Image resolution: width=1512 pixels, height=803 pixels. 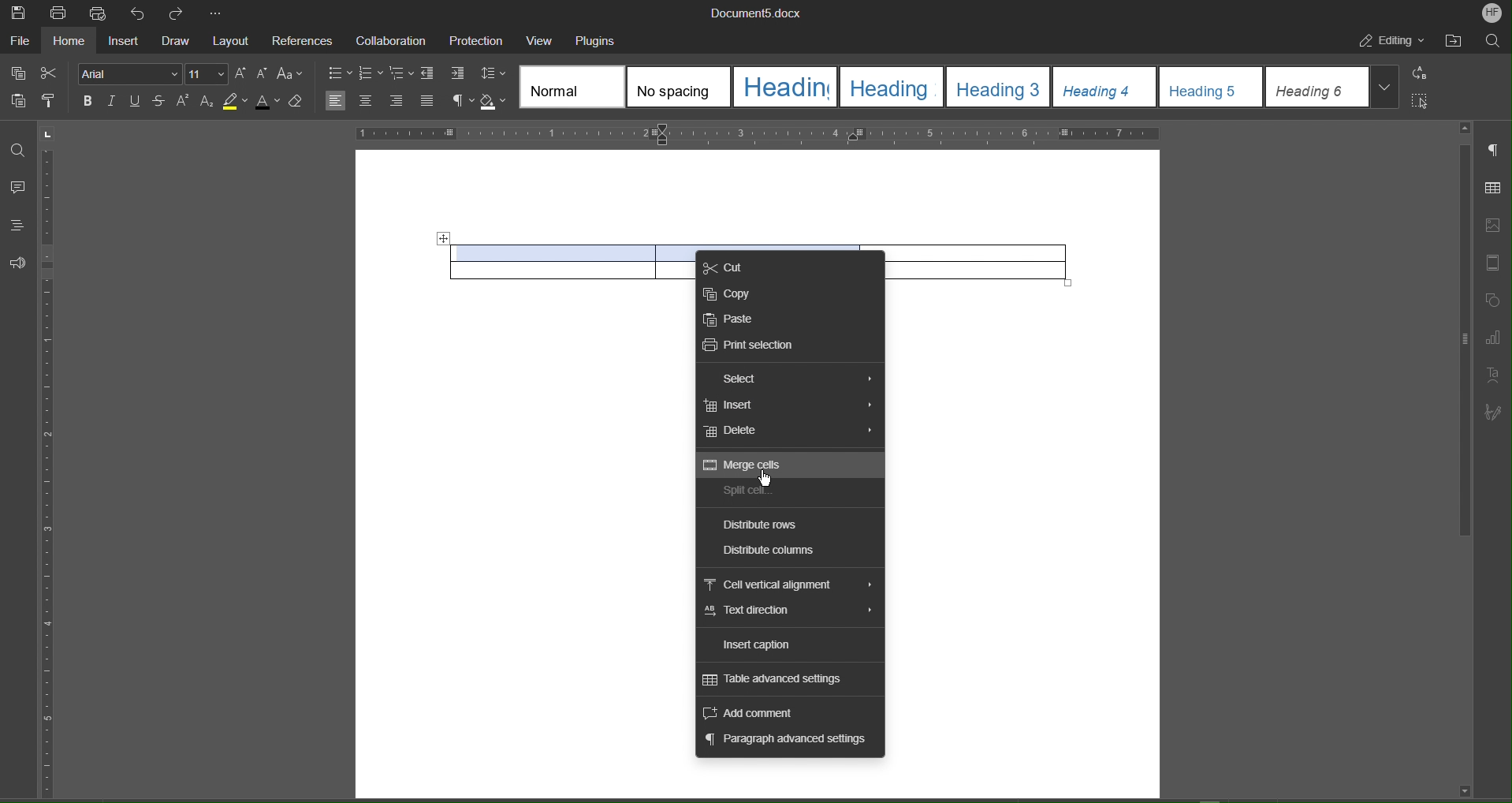 I want to click on Decrease Indent, so click(x=430, y=74).